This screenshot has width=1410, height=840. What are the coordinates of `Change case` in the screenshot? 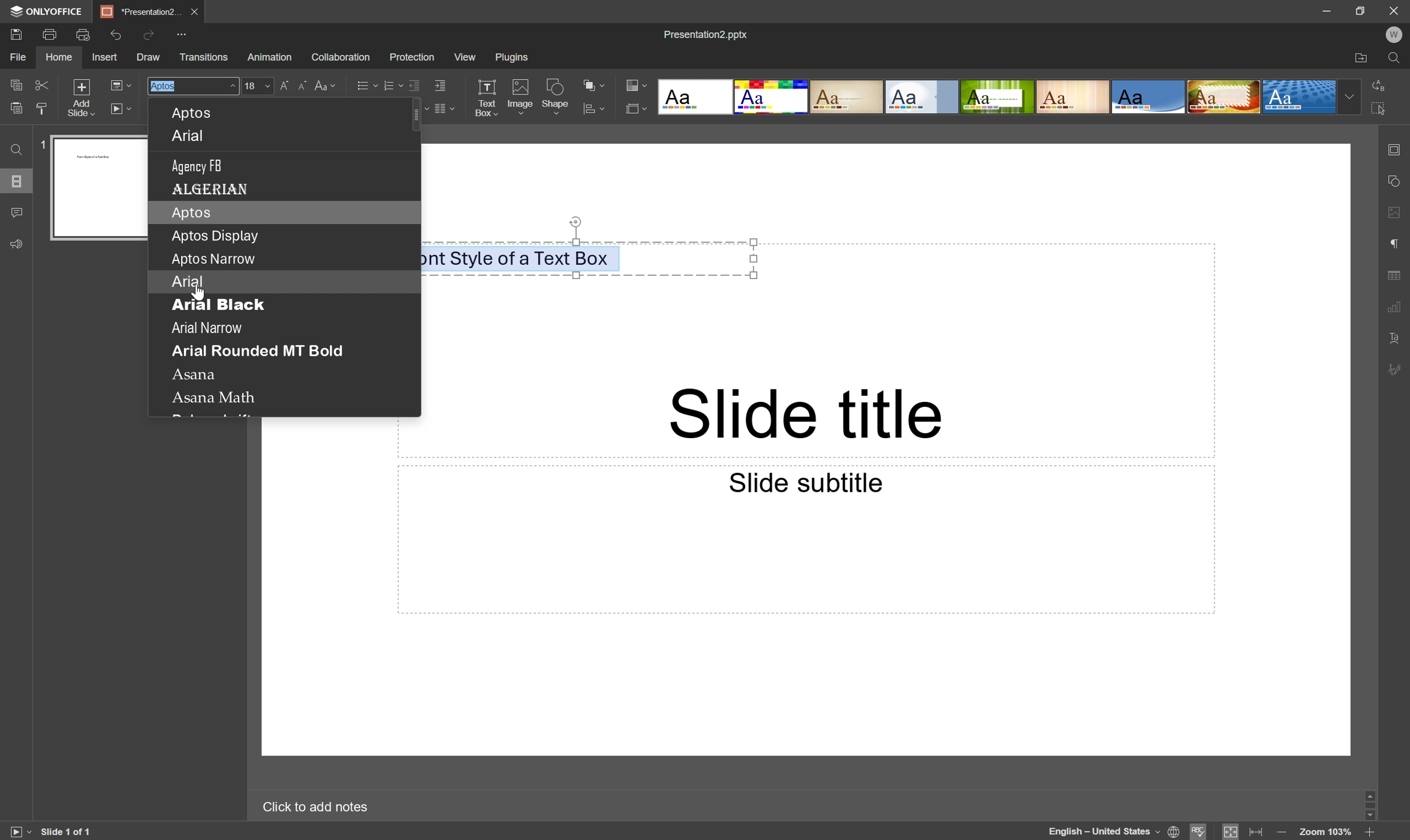 It's located at (325, 83).